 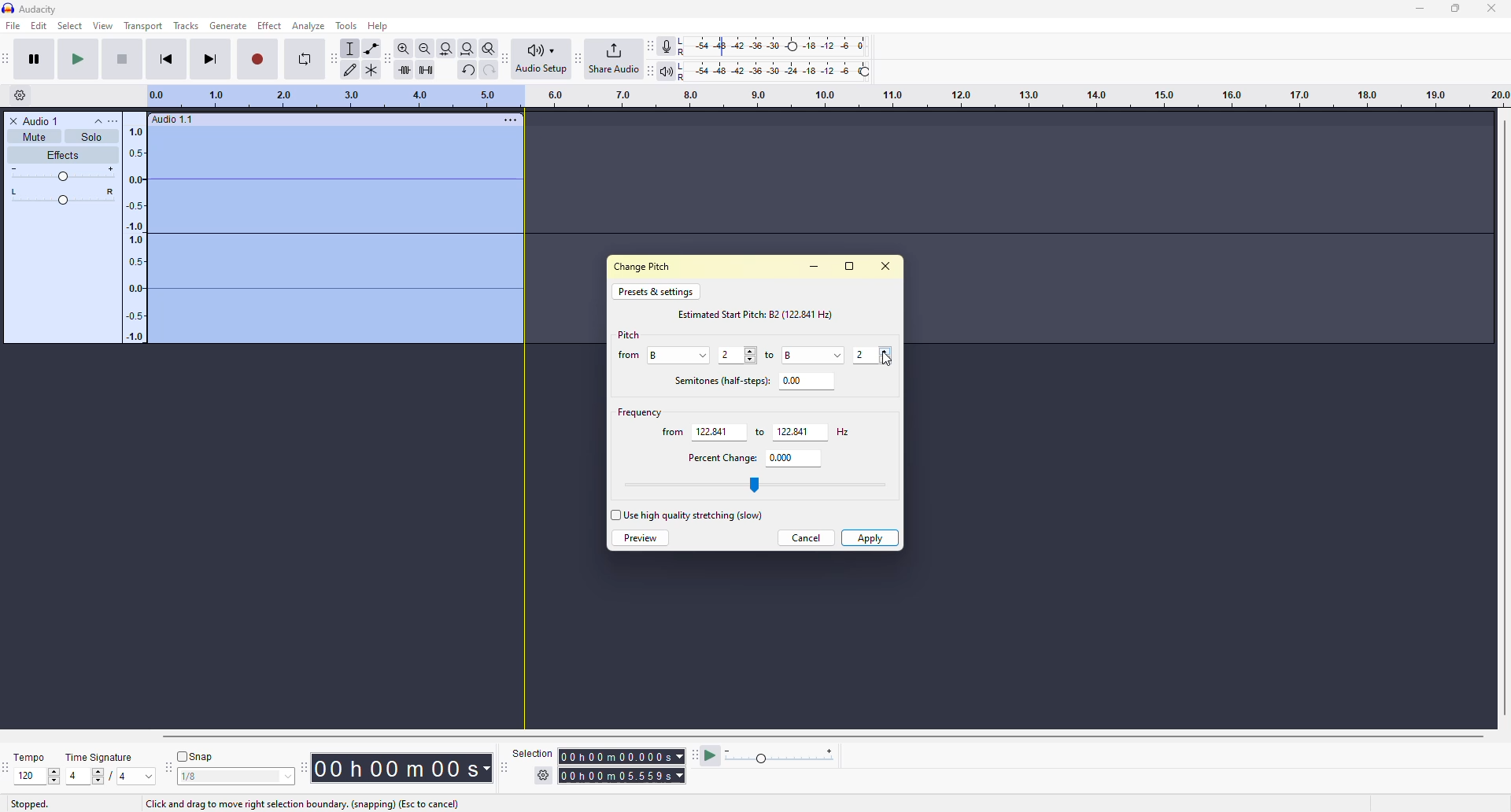 I want to click on draw tools, so click(x=352, y=69).